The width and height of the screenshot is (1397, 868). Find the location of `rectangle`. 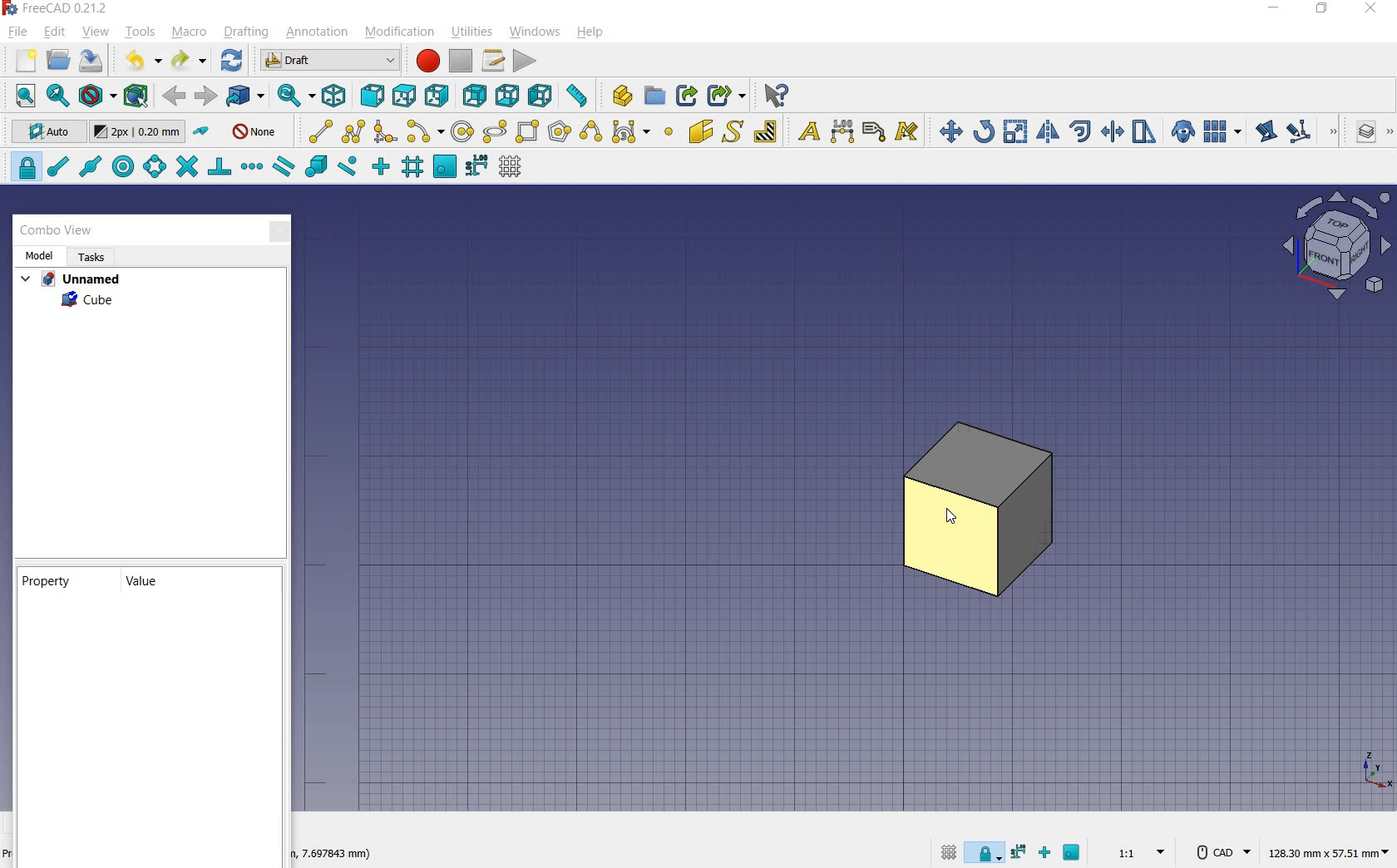

rectangle is located at coordinates (530, 131).